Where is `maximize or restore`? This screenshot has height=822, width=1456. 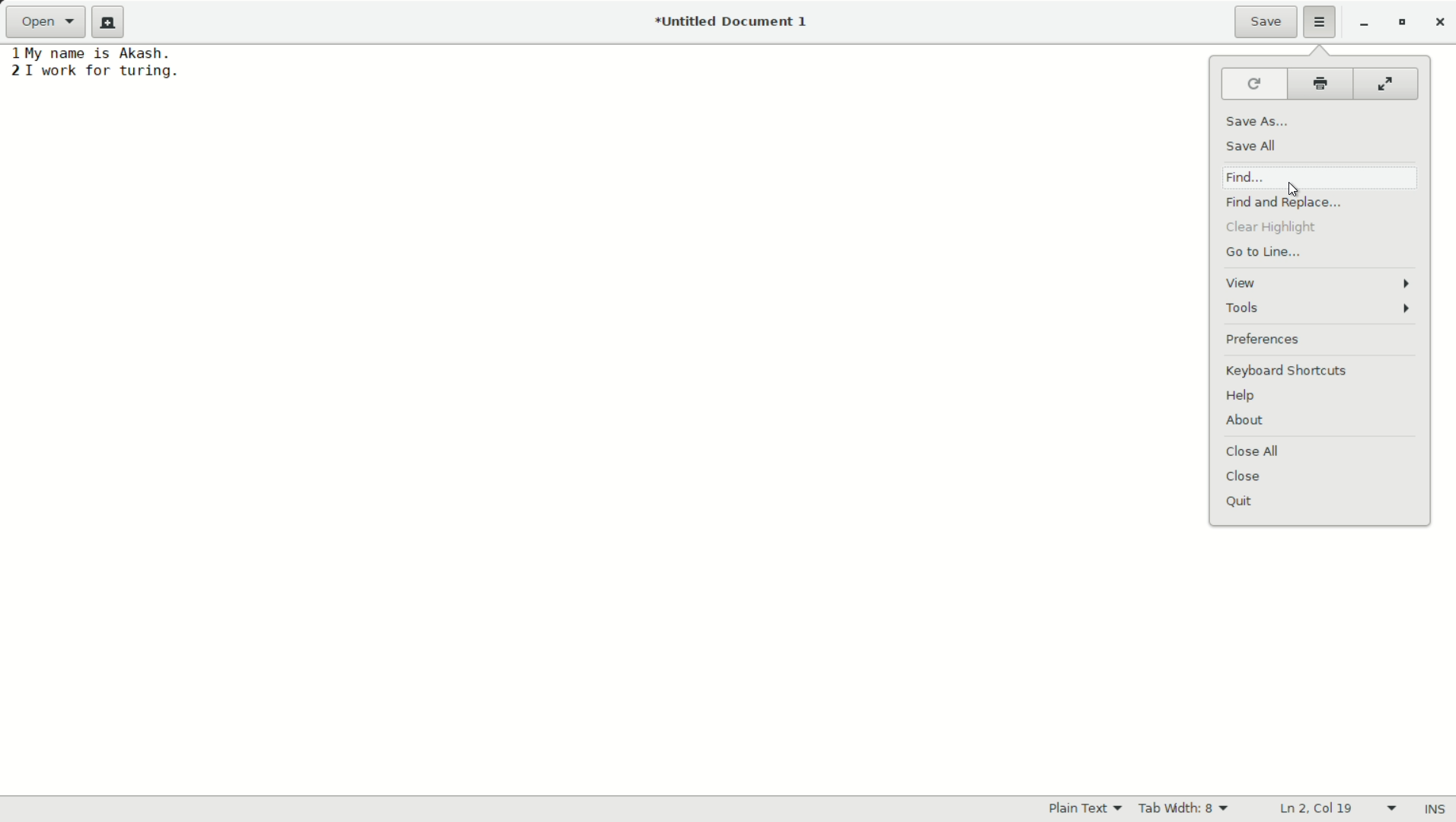
maximize or restore is located at coordinates (1403, 23).